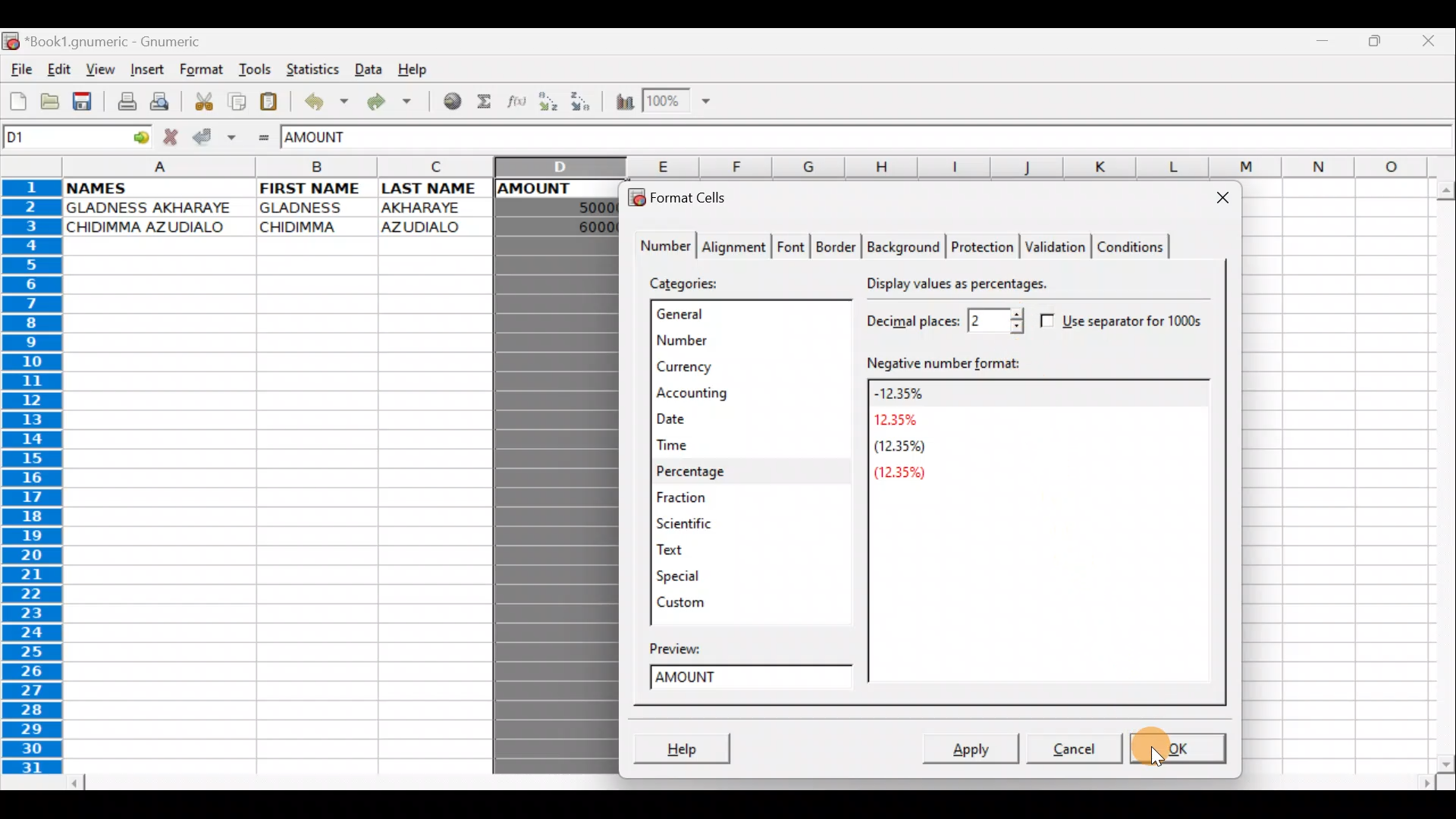 The image size is (1456, 819). I want to click on GLADNESS AKHARAYE, so click(155, 207).